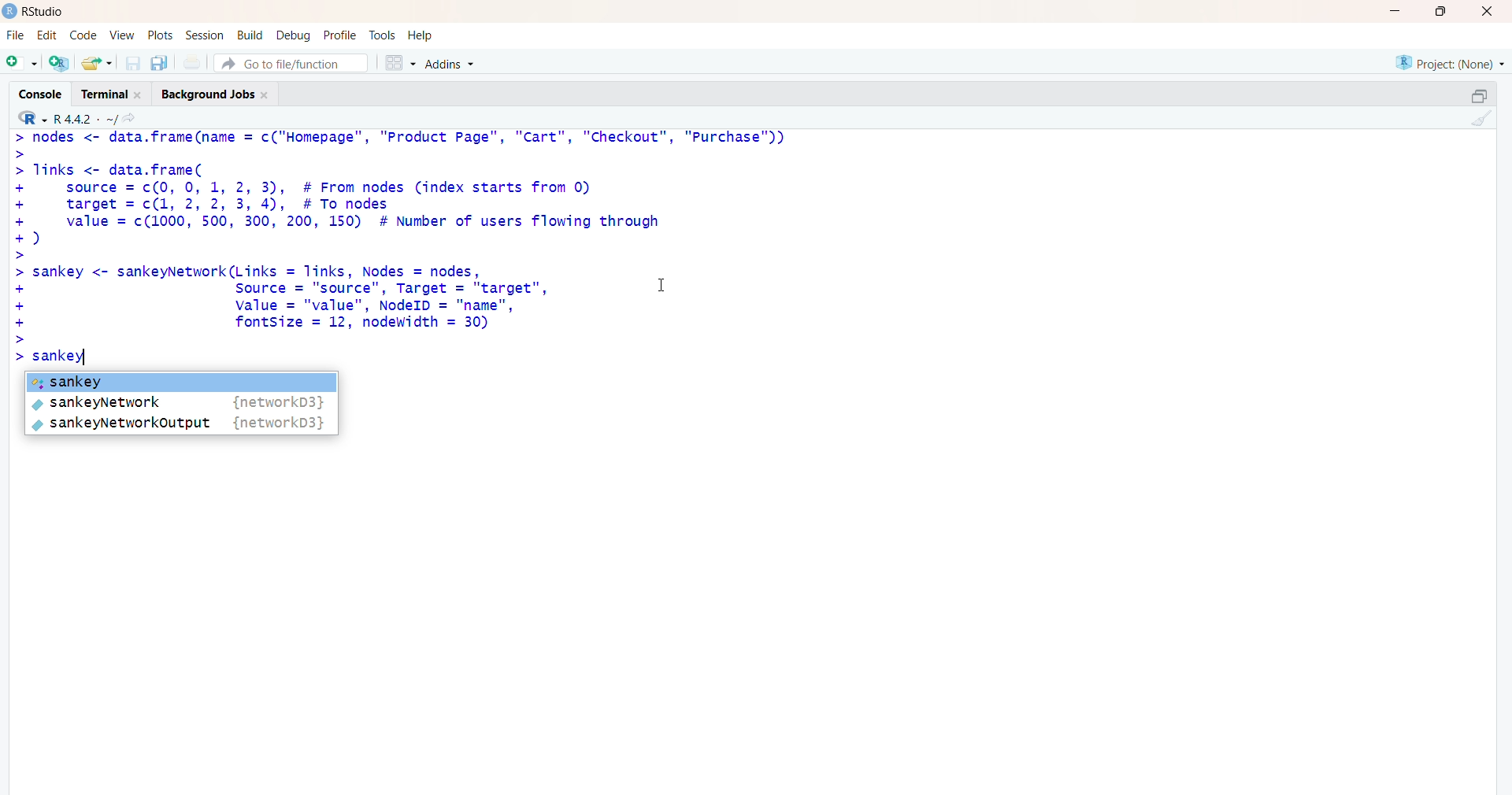  I want to click on open file, so click(97, 64).